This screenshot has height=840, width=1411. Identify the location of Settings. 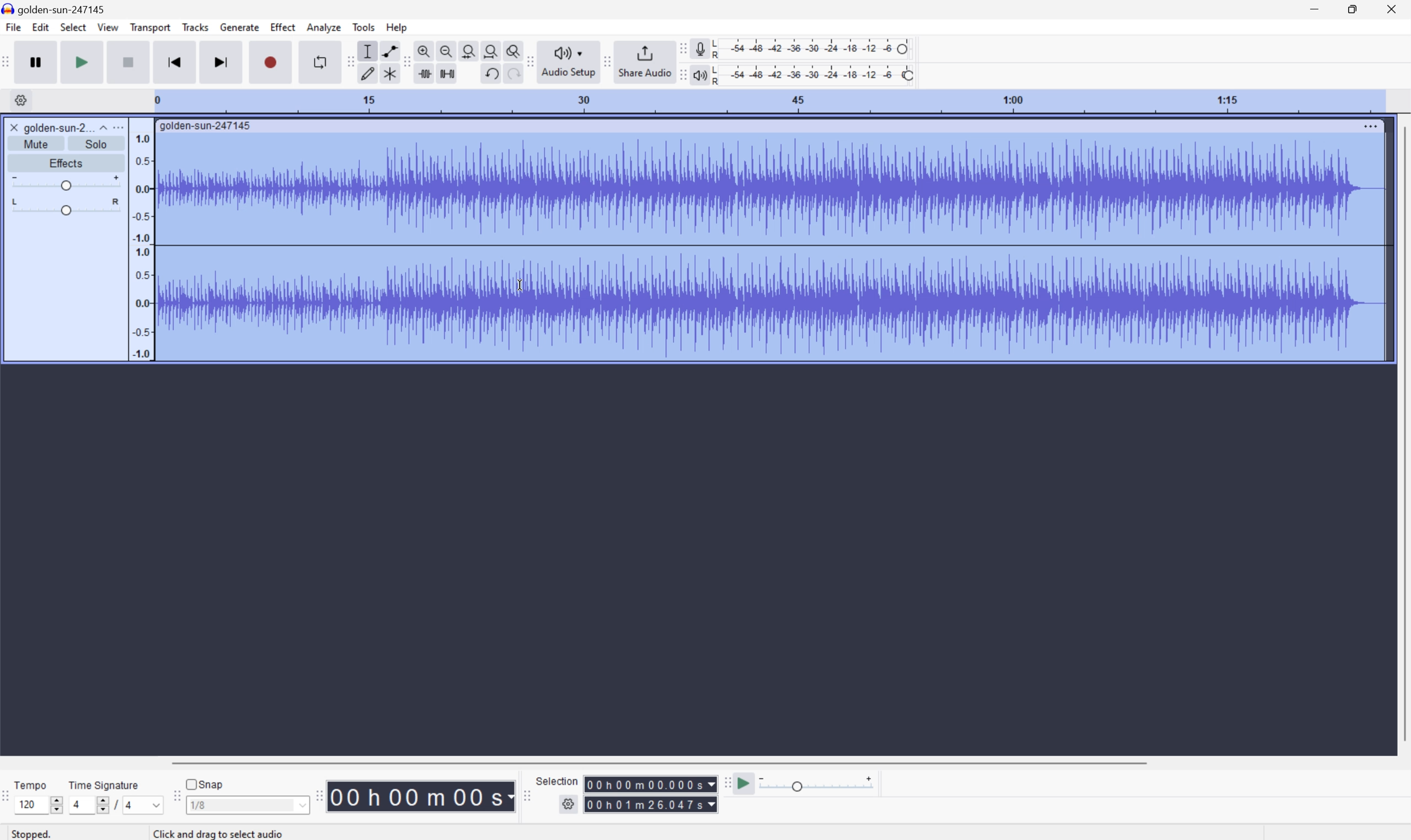
(19, 100).